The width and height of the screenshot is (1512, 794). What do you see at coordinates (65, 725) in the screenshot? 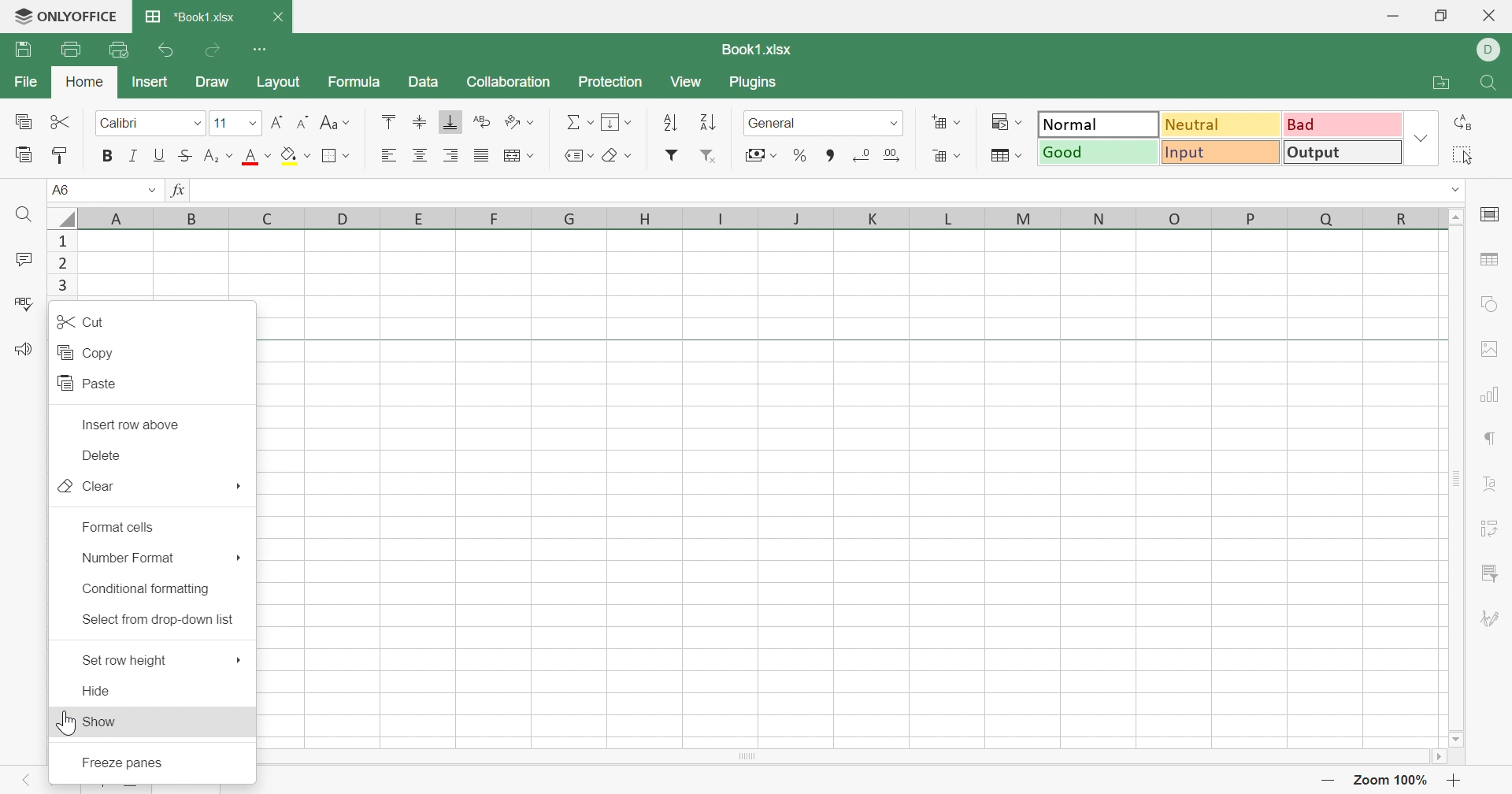
I see `Cursor` at bounding box center [65, 725].